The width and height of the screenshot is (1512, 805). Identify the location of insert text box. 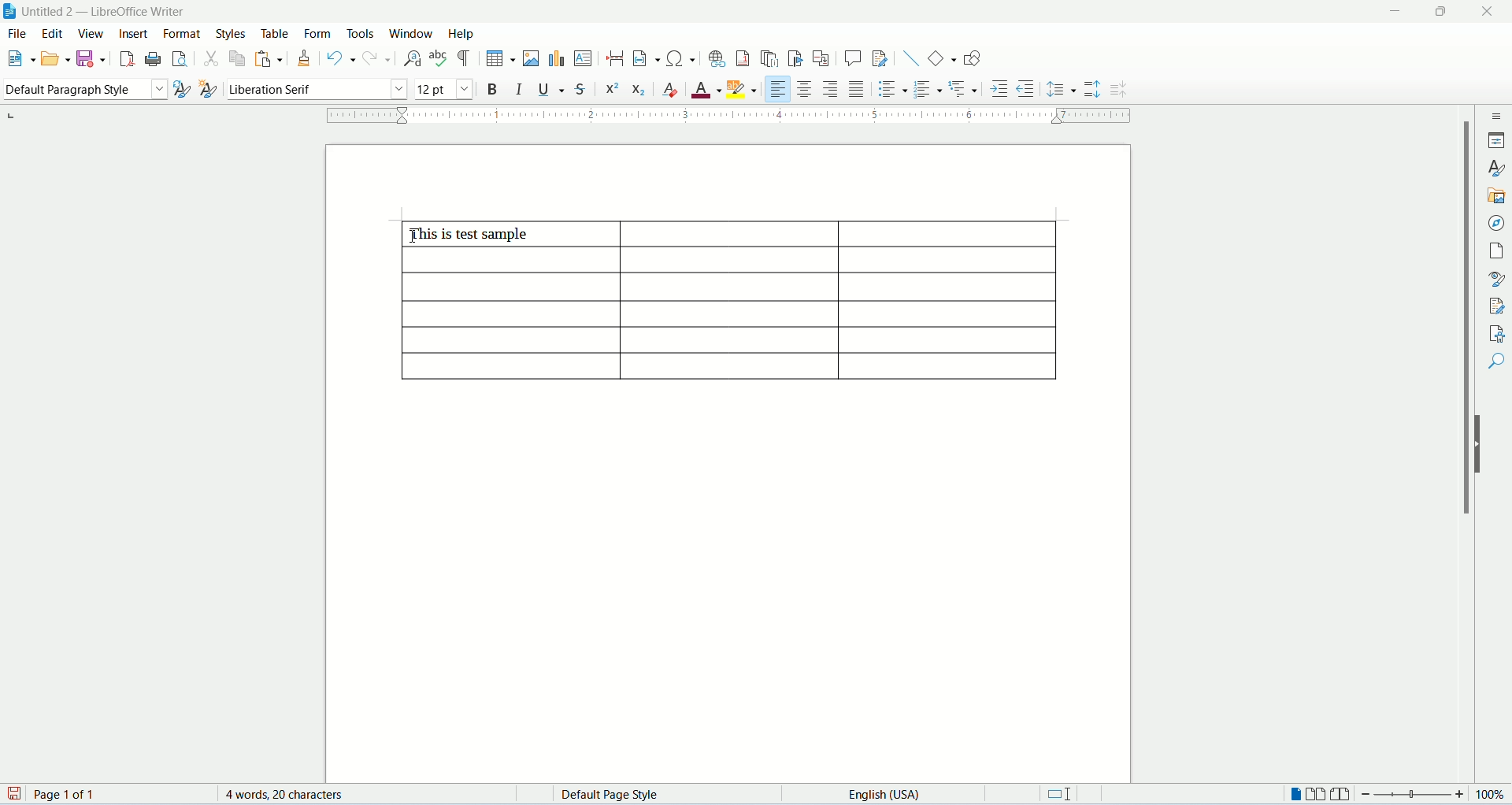
(584, 59).